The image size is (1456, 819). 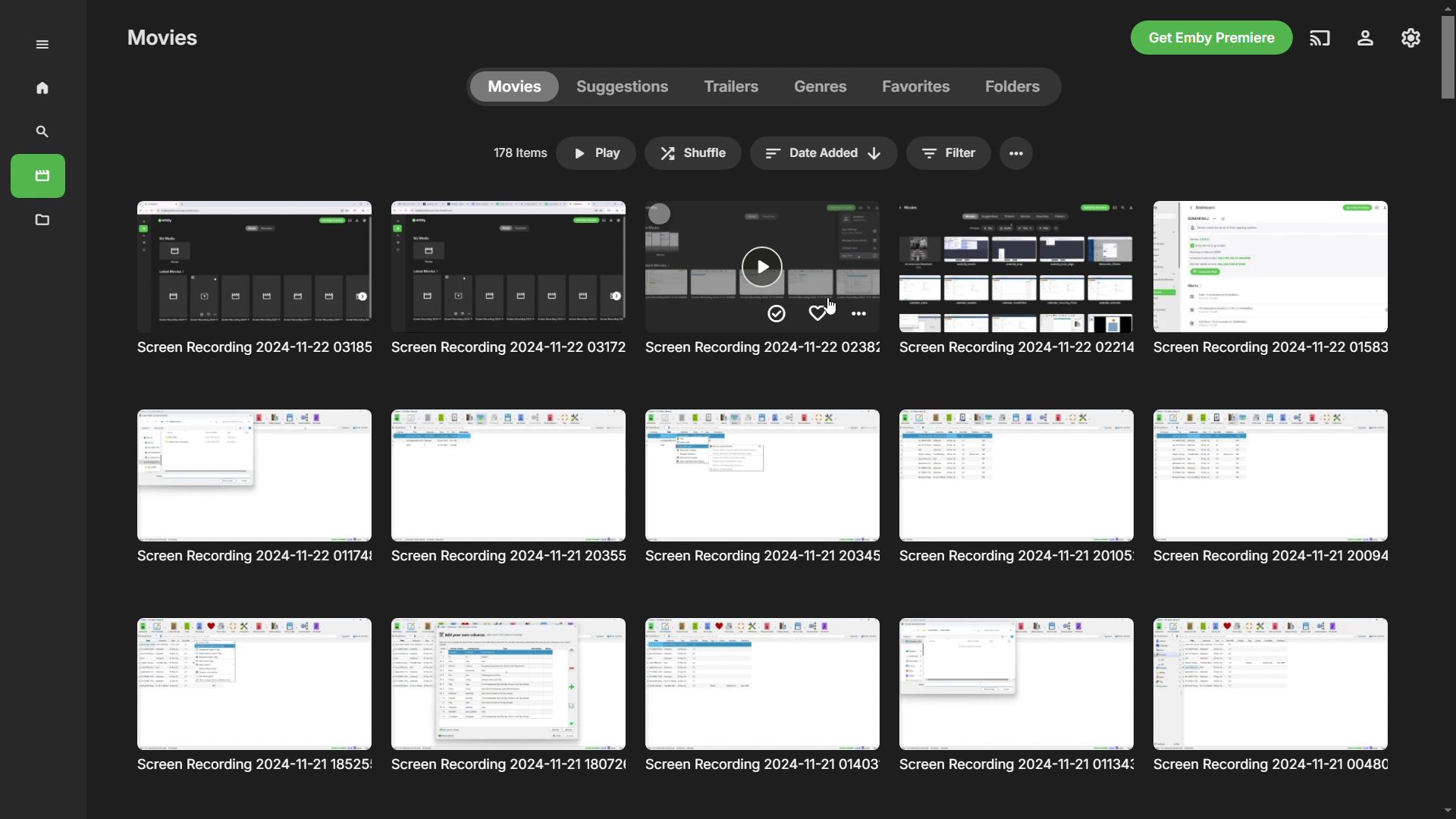 I want to click on shuffle, so click(x=695, y=153).